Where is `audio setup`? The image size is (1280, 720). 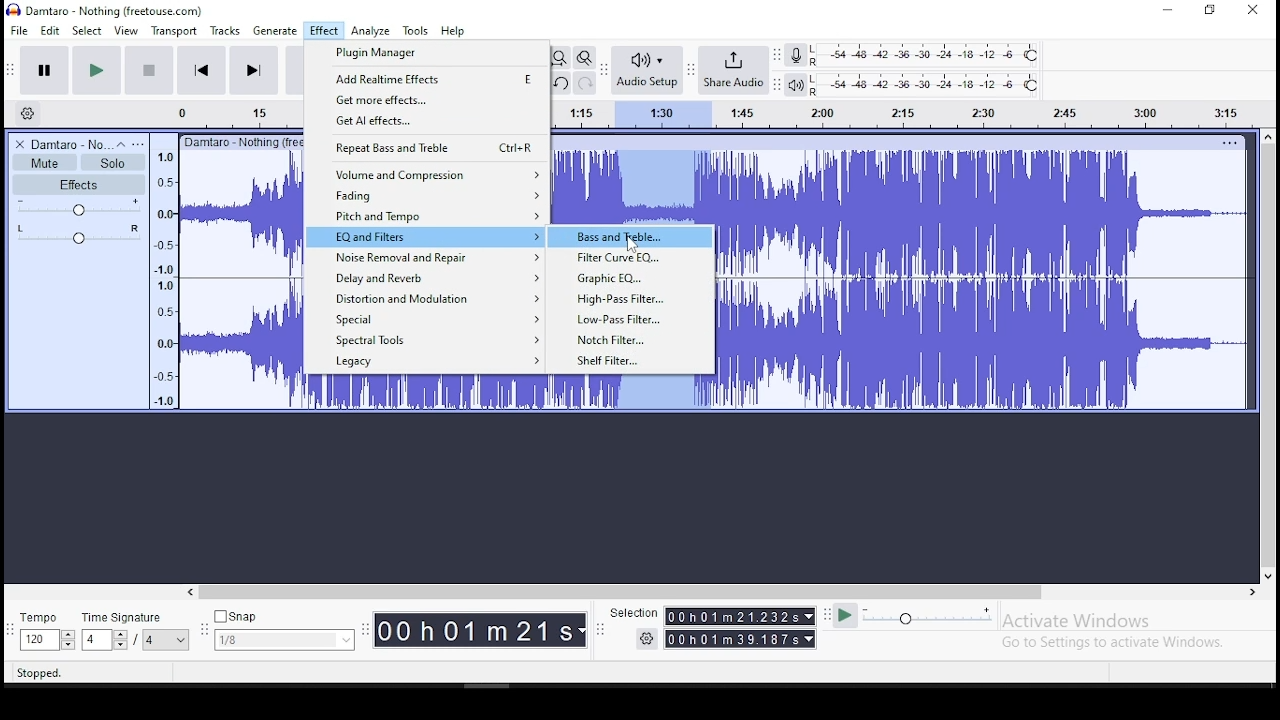
audio setup is located at coordinates (646, 68).